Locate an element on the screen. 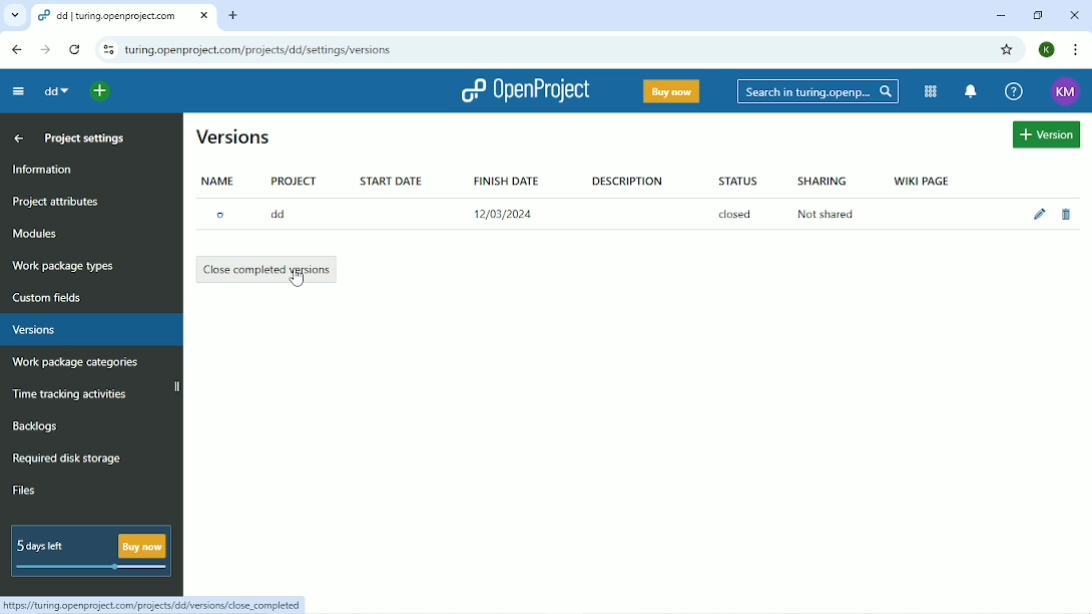 This screenshot has width=1092, height=614. Name is located at coordinates (220, 180).